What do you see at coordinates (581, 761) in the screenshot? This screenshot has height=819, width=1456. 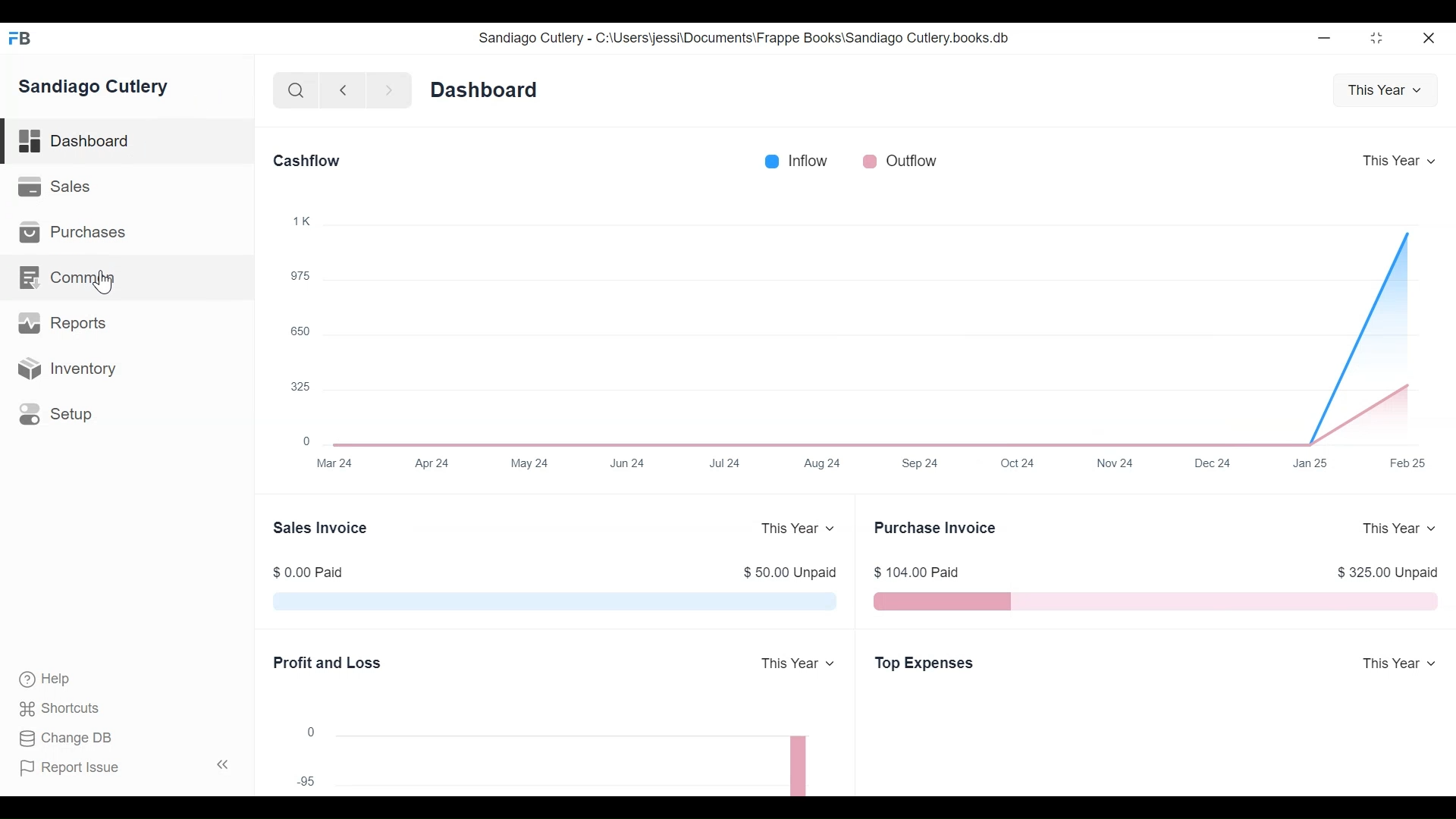 I see `The chart shows the profit (or loss) per month for a year` at bounding box center [581, 761].